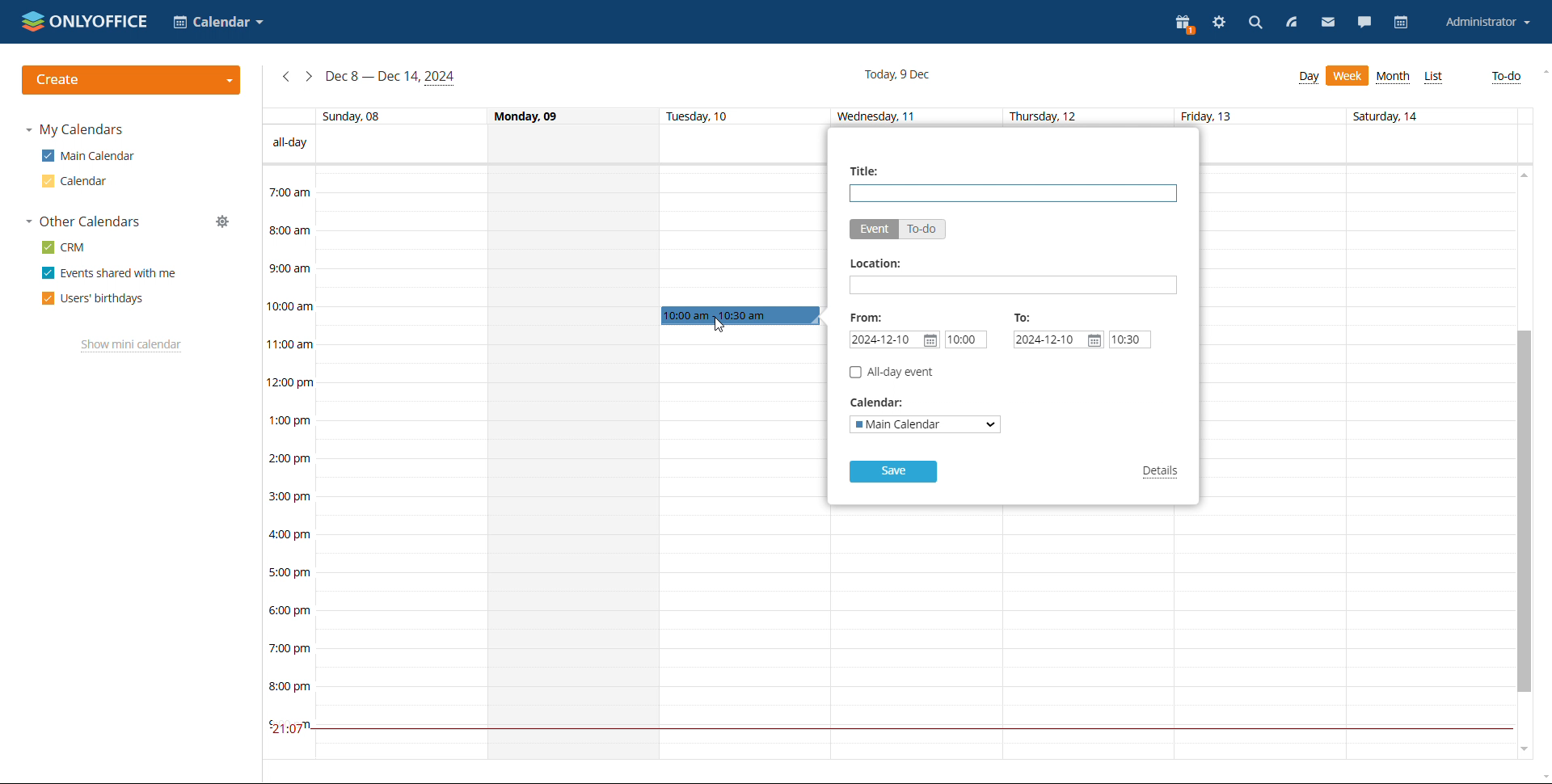  What do you see at coordinates (888, 116) in the screenshot?
I see `days` at bounding box center [888, 116].